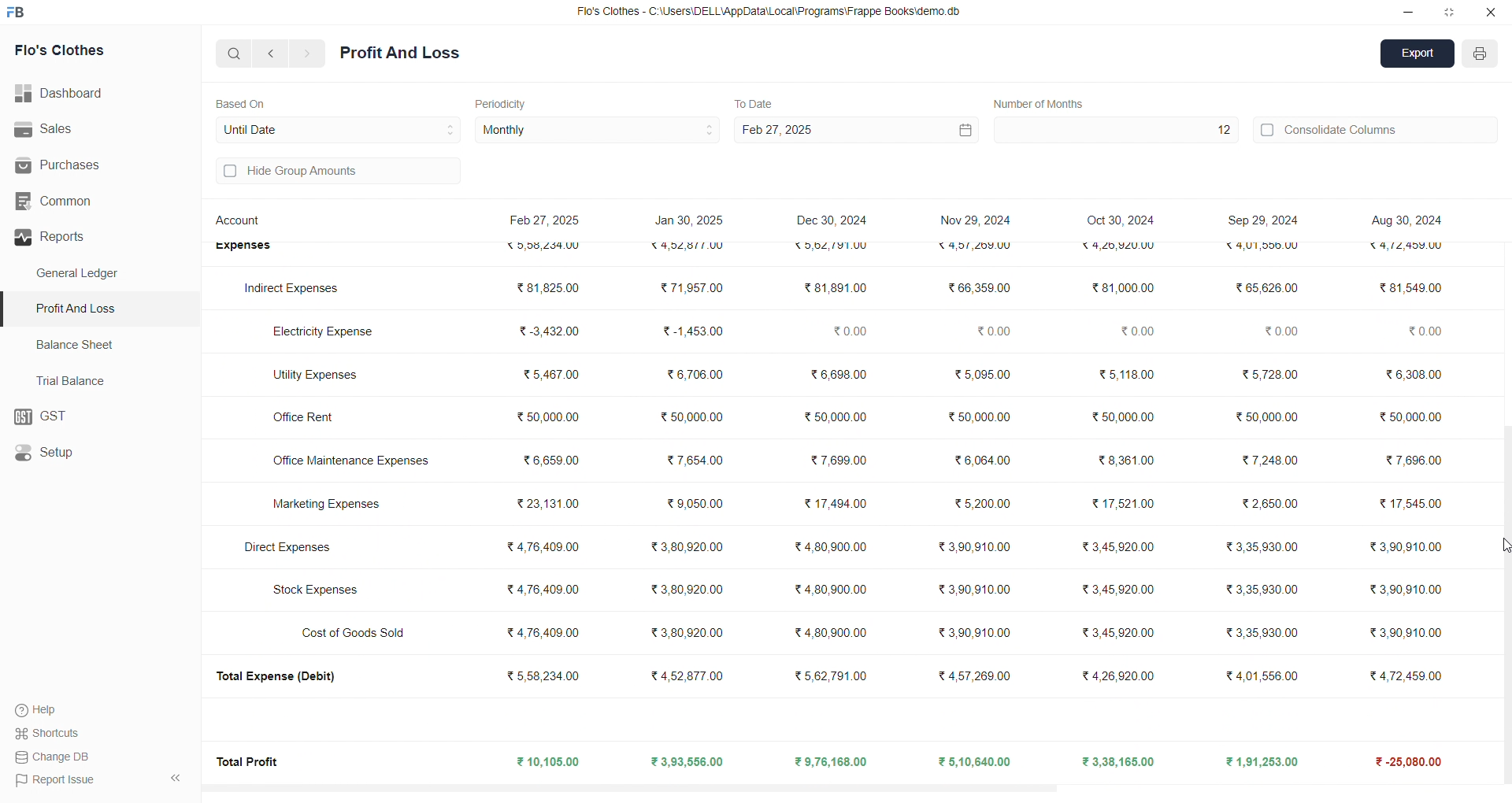 Image resolution: width=1512 pixels, height=803 pixels. What do you see at coordinates (843, 785) in the screenshot?
I see `horizontal scroll bar` at bounding box center [843, 785].